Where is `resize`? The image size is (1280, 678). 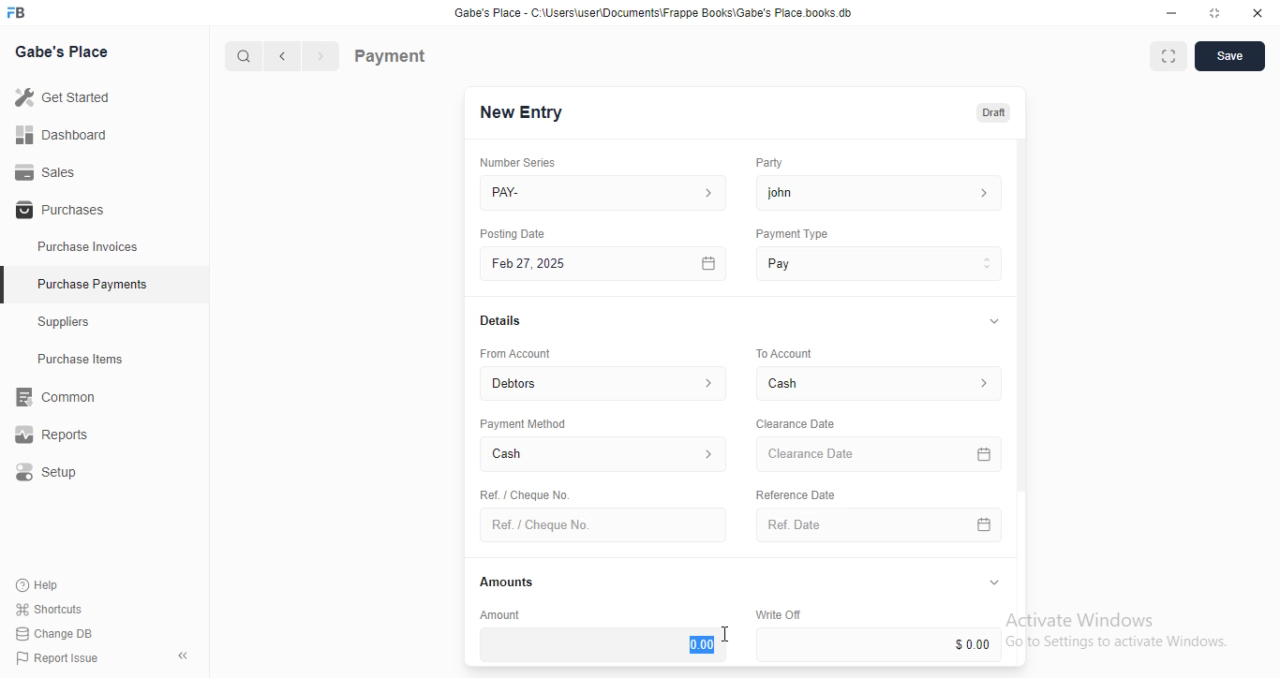
resize is located at coordinates (1213, 13).